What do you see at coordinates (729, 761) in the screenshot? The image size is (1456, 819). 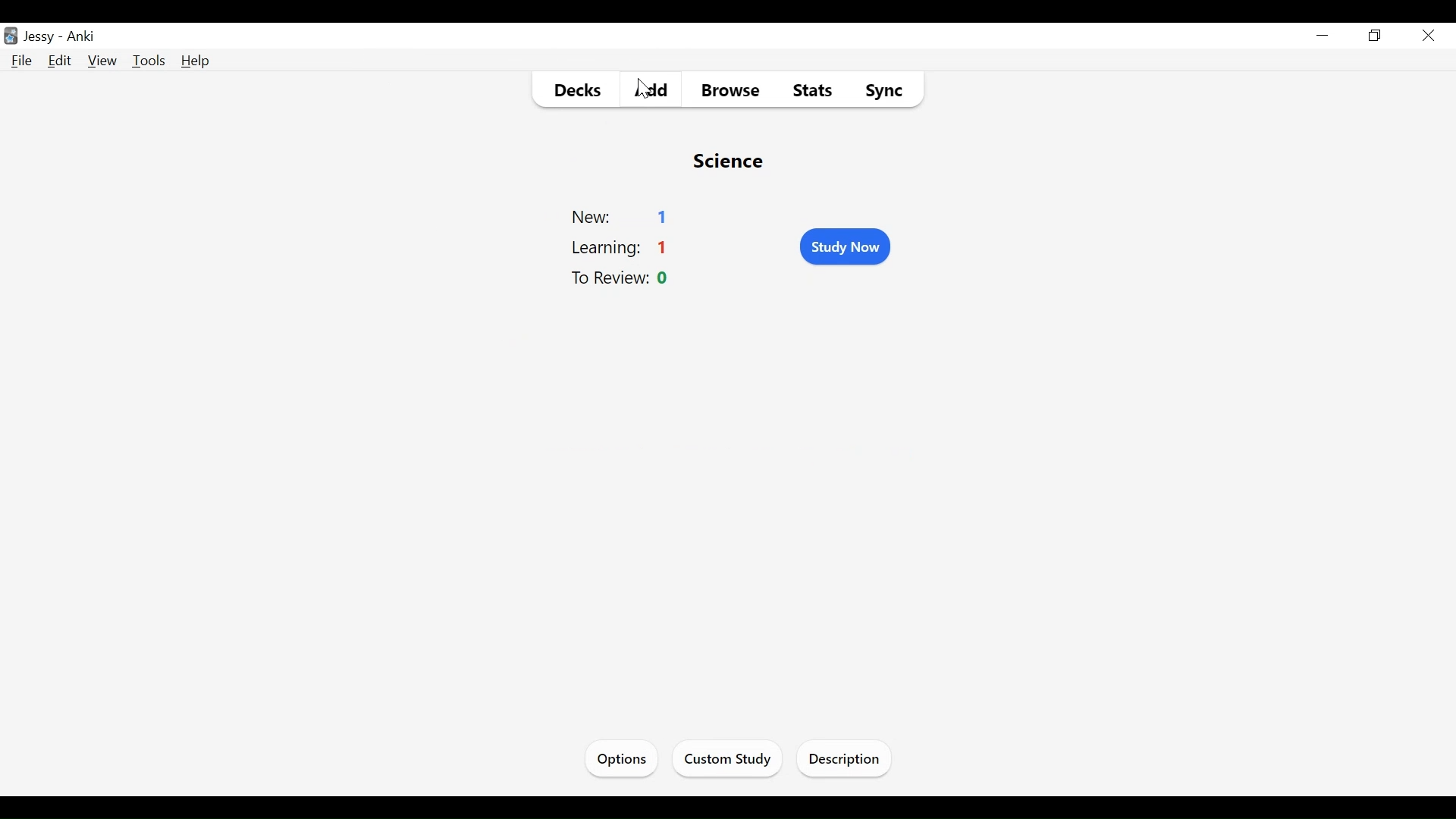 I see `Custom Study` at bounding box center [729, 761].